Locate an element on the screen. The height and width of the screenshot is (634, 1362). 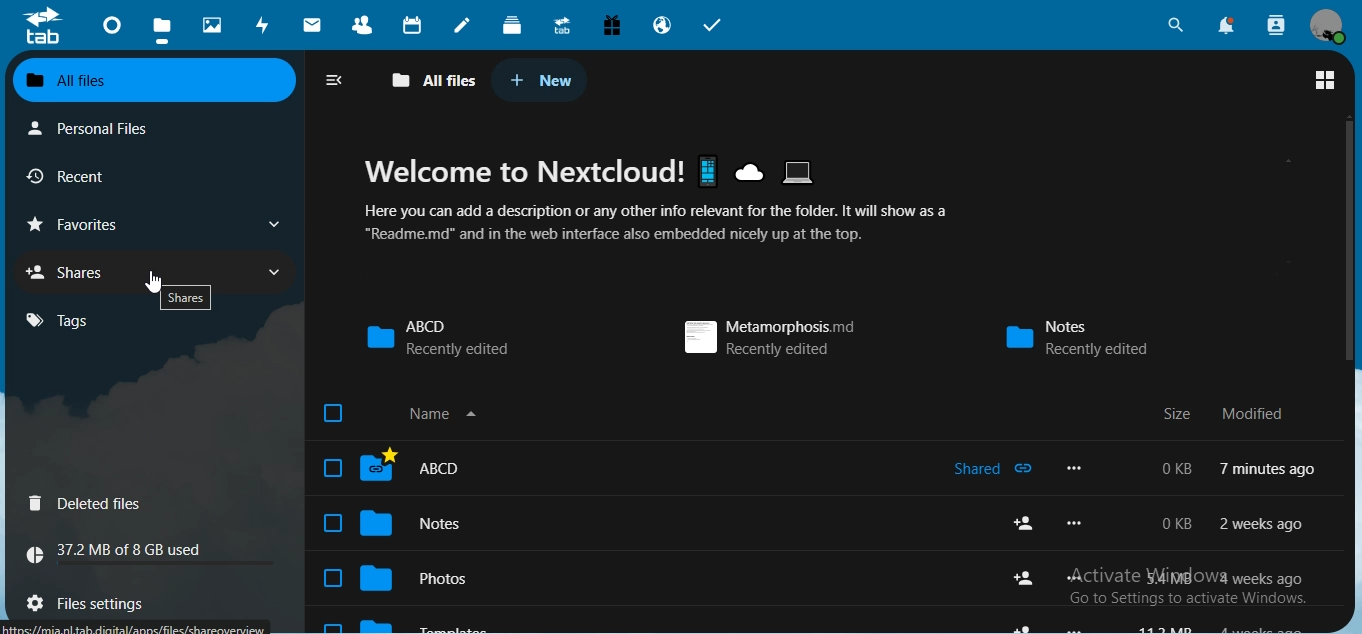
share is located at coordinates (1027, 578).